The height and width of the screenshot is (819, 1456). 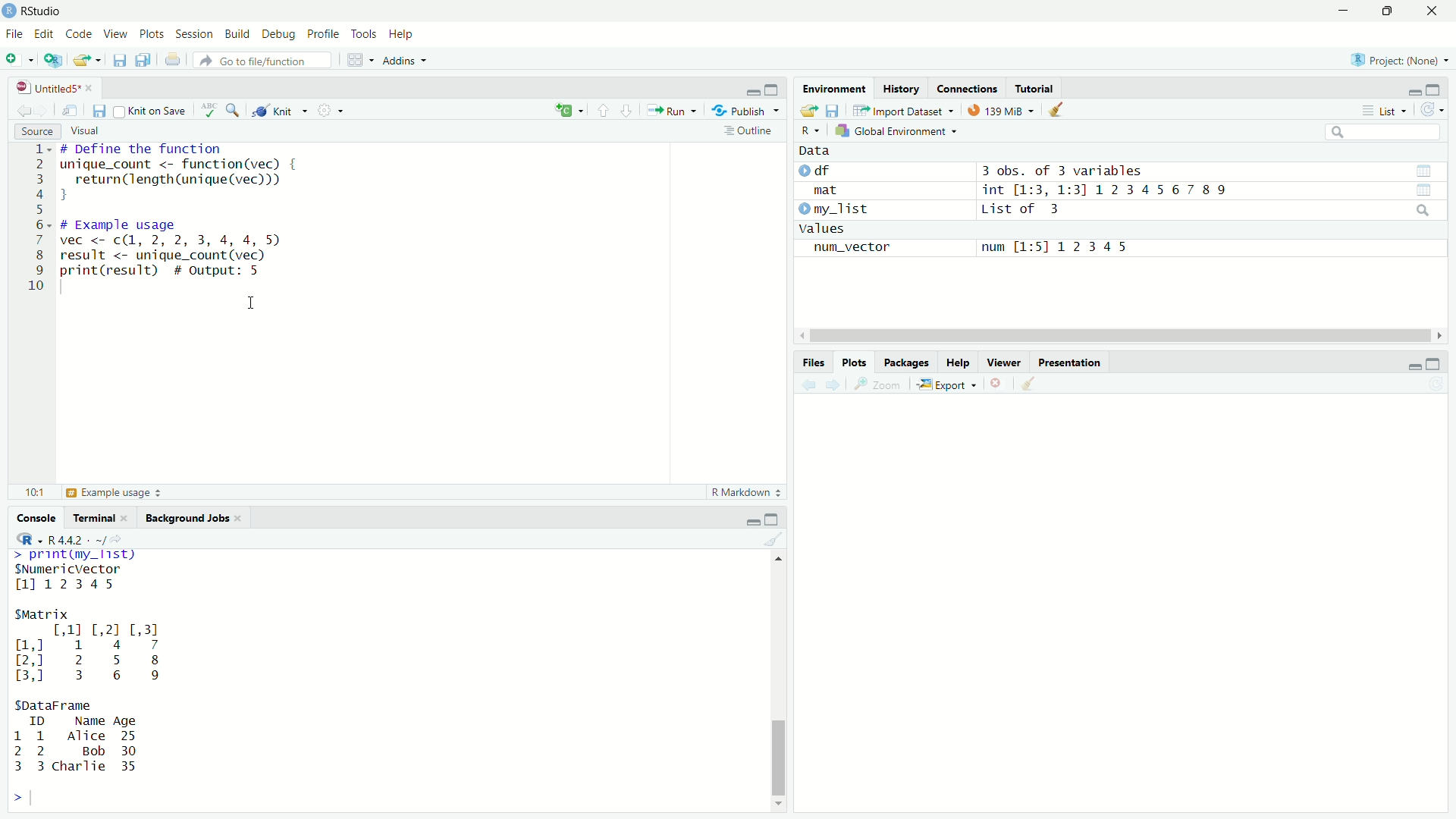 What do you see at coordinates (813, 363) in the screenshot?
I see `Files` at bounding box center [813, 363].